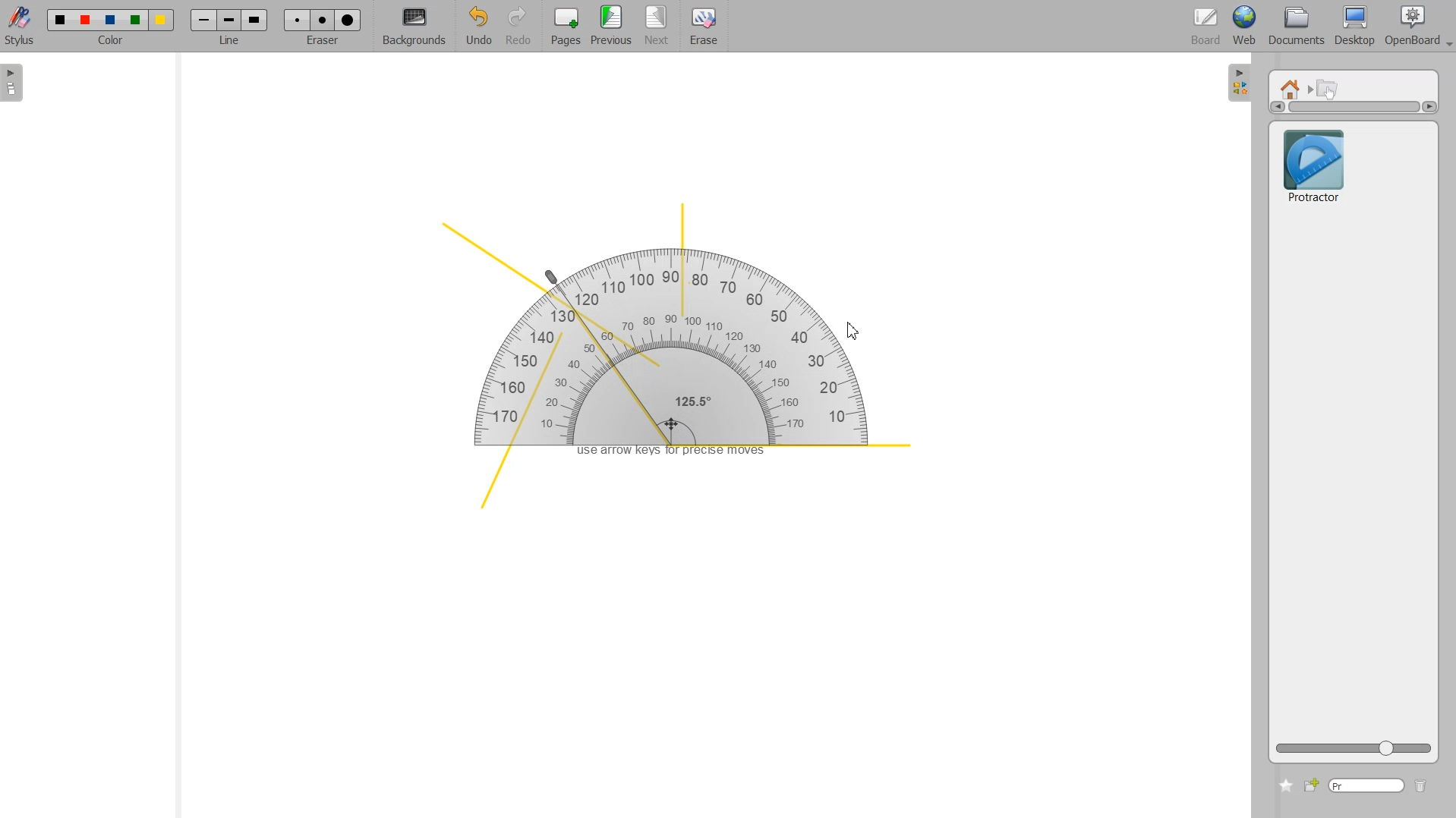 The image size is (1456, 818). Describe the element at coordinates (1366, 786) in the screenshot. I see `Type window` at that location.